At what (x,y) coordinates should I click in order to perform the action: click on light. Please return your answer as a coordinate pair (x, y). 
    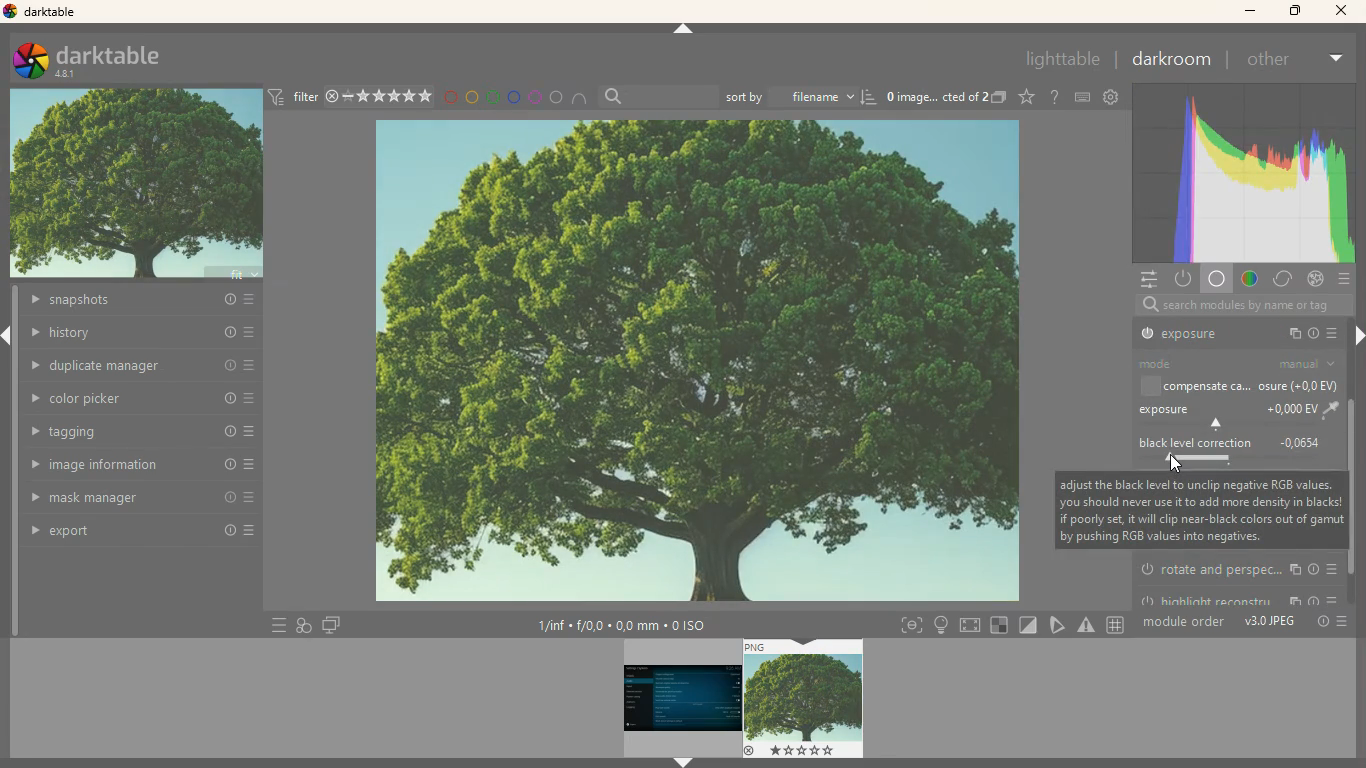
    Looking at the image, I should click on (943, 626).